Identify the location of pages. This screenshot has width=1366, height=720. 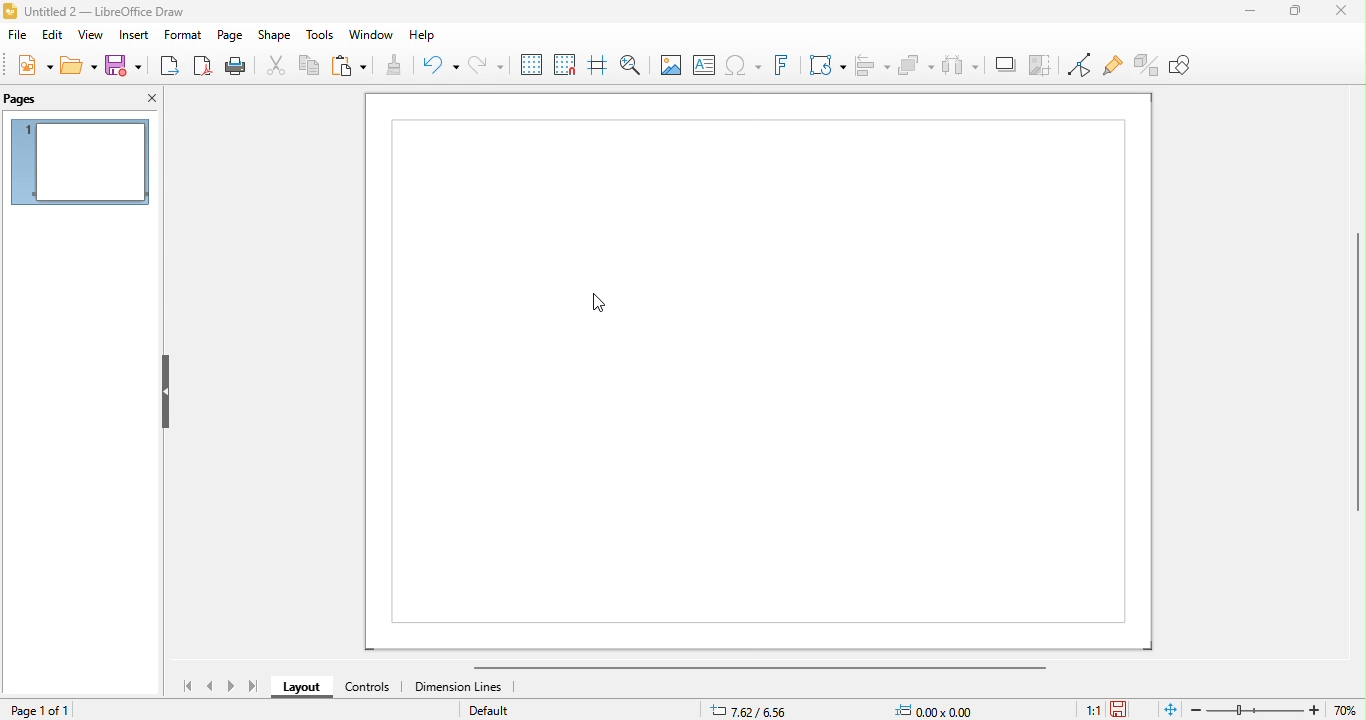
(43, 99).